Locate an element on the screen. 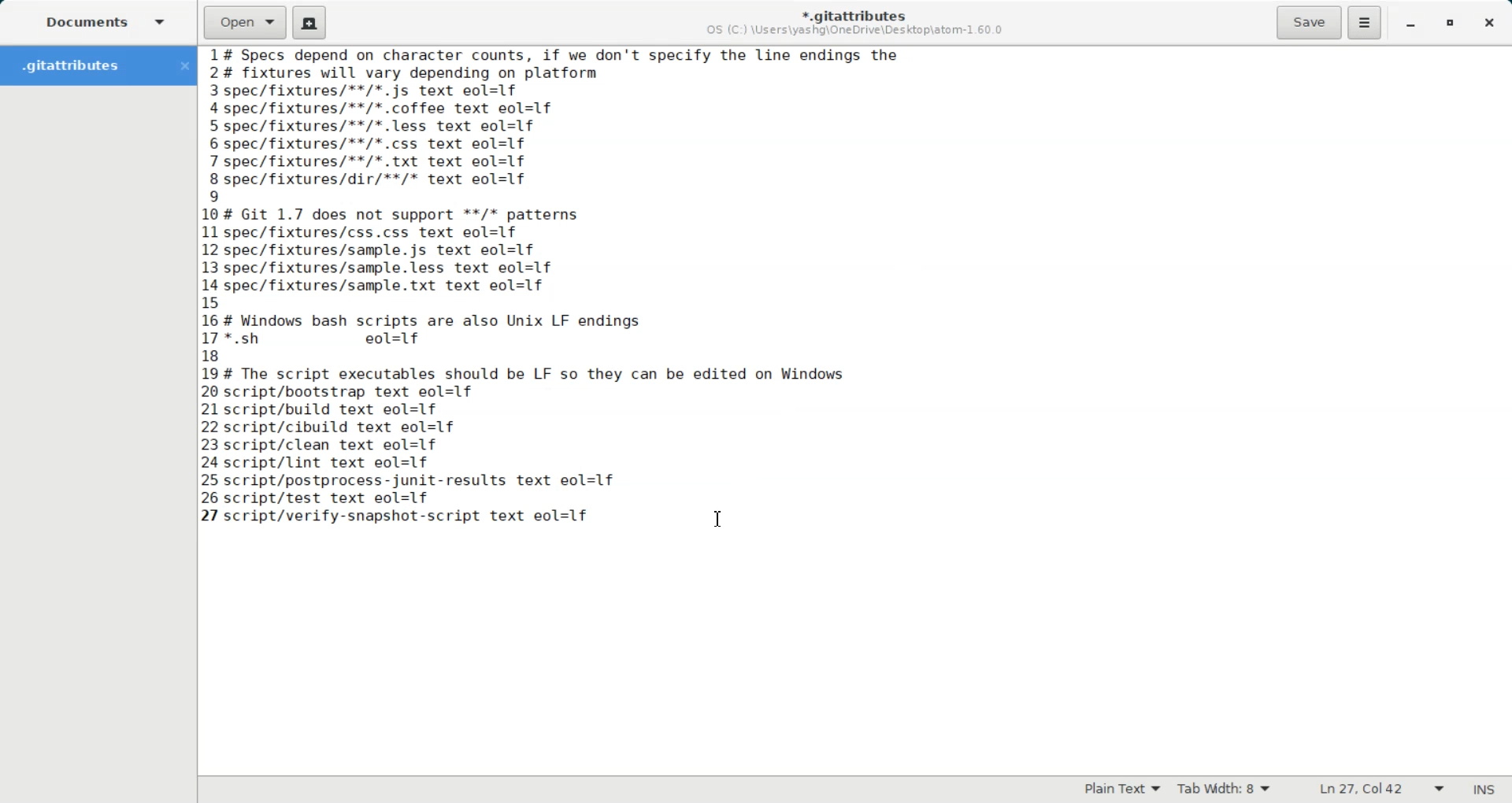 The height and width of the screenshot is (803, 1512). text line number is located at coordinates (213, 275).